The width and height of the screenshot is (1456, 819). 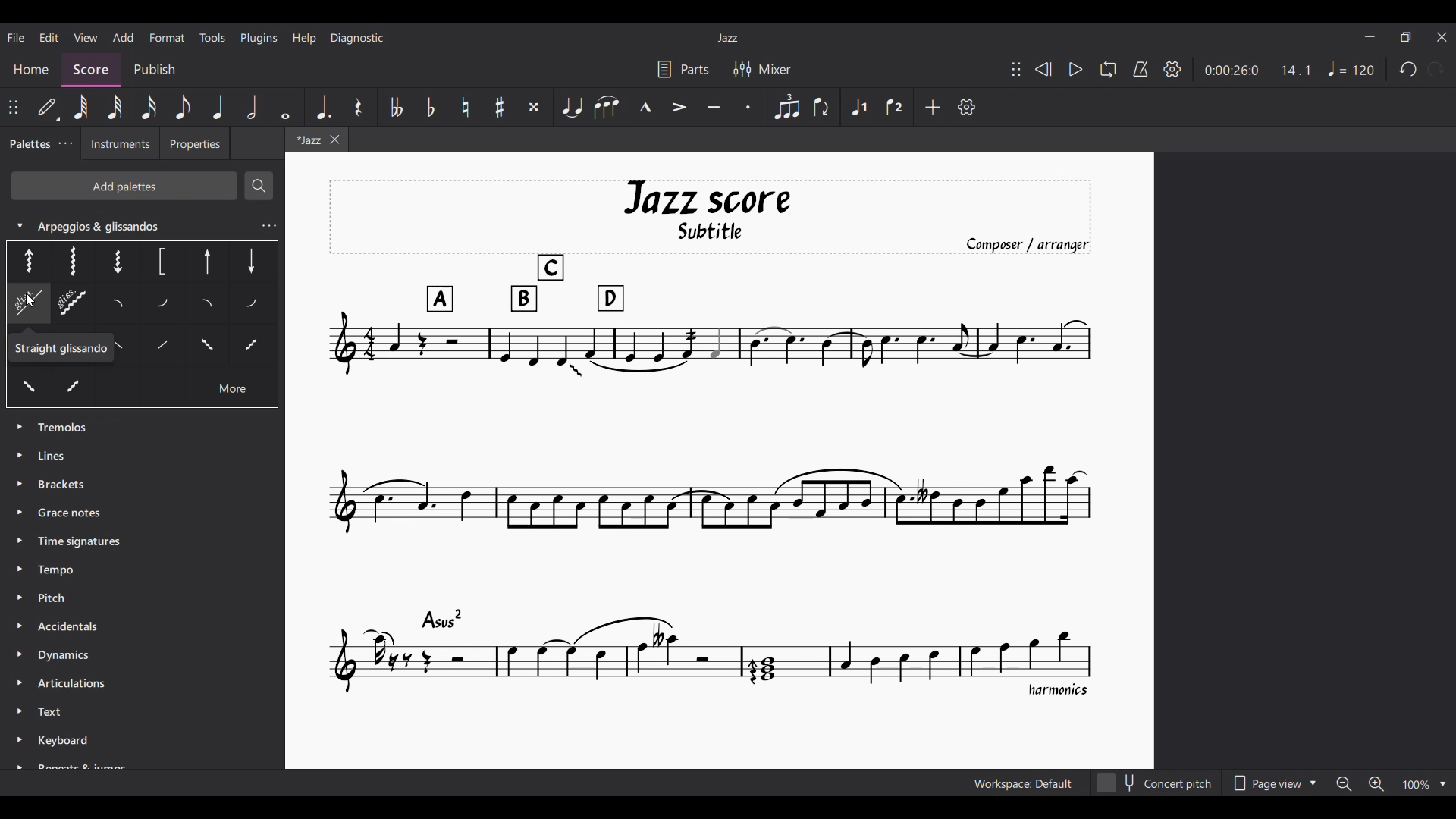 What do you see at coordinates (286, 107) in the screenshot?
I see `Whole note` at bounding box center [286, 107].